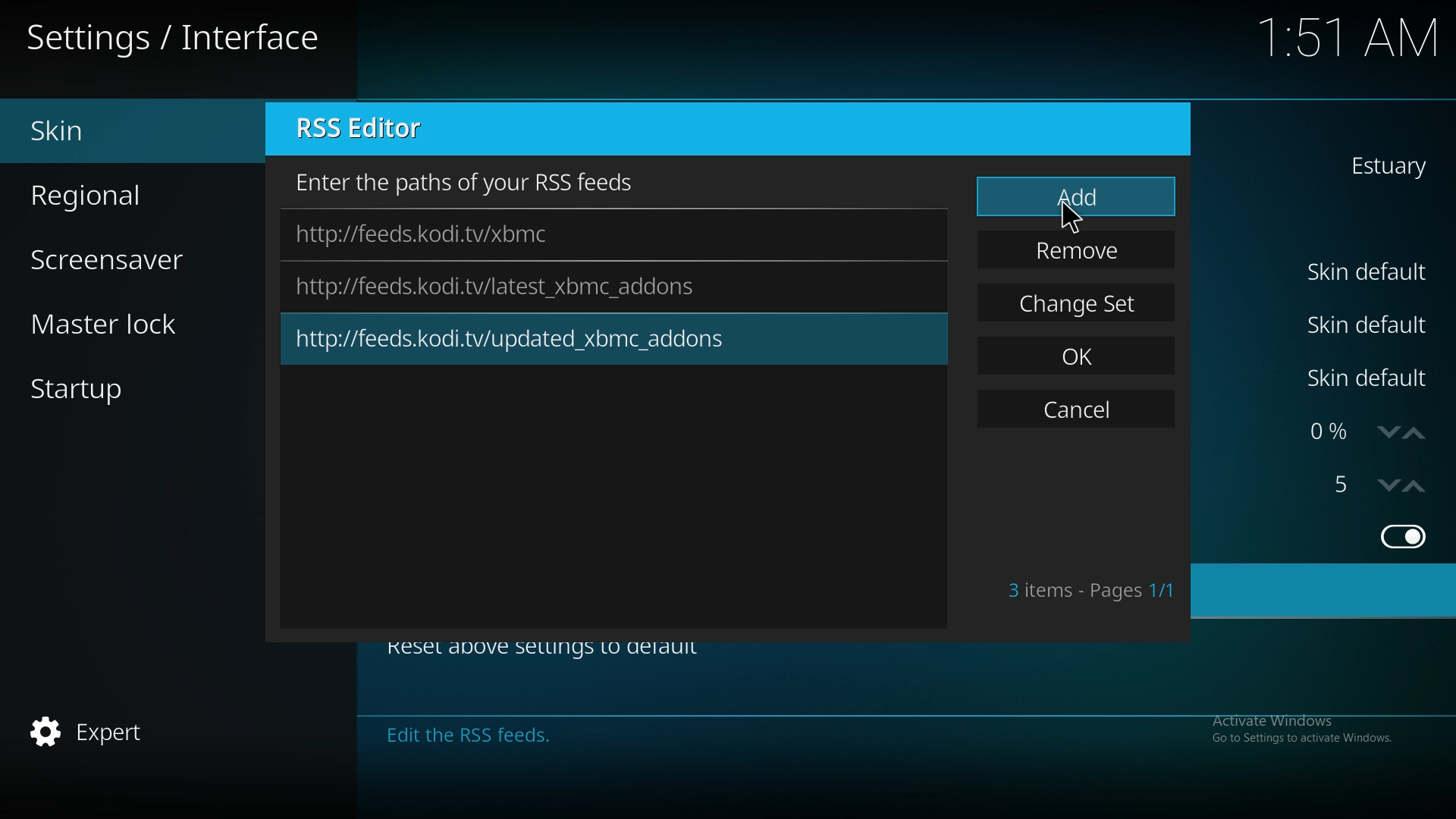  Describe the element at coordinates (1075, 412) in the screenshot. I see `cancel` at that location.